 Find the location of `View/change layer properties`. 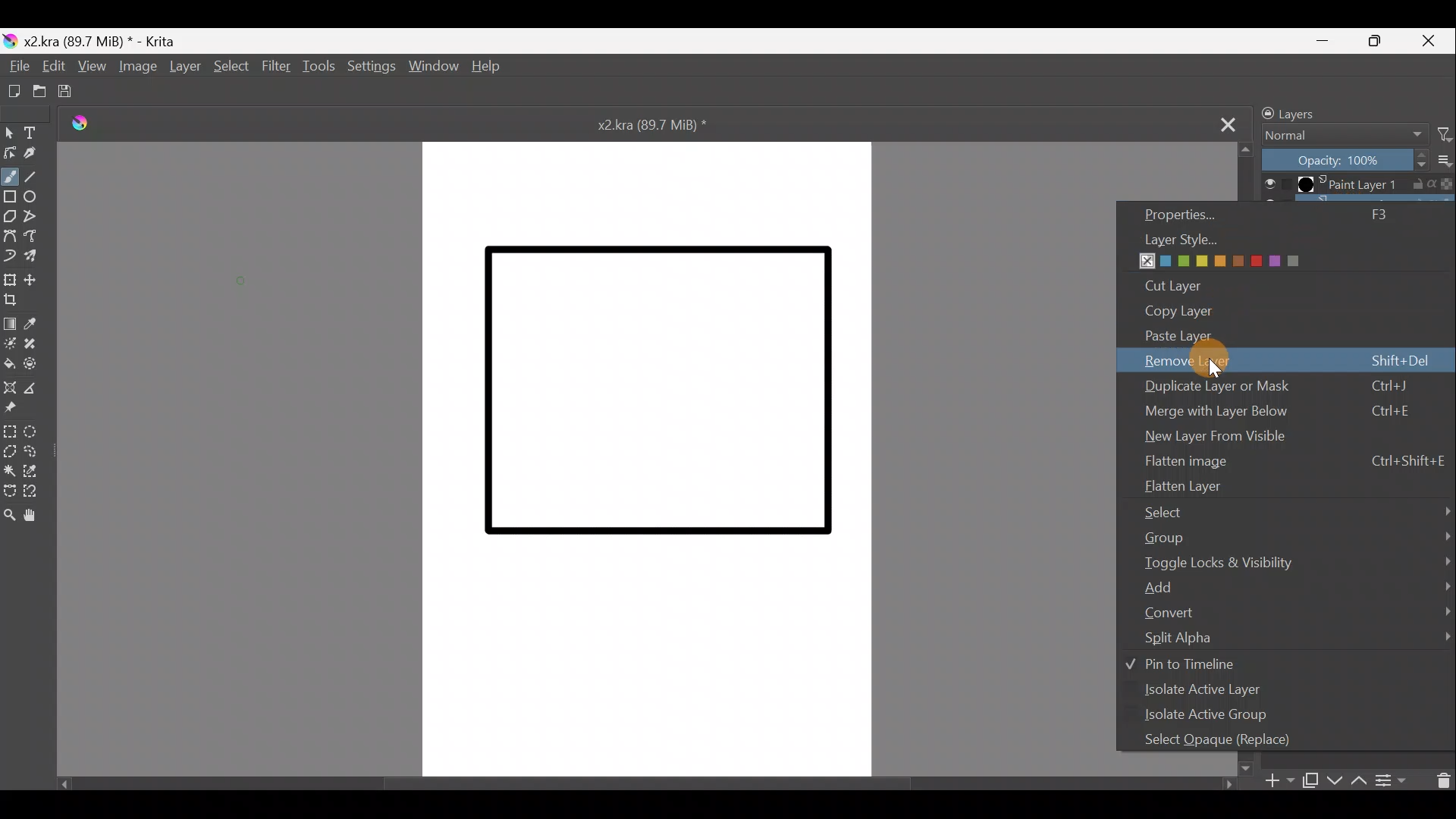

View/change layer properties is located at coordinates (1391, 780).